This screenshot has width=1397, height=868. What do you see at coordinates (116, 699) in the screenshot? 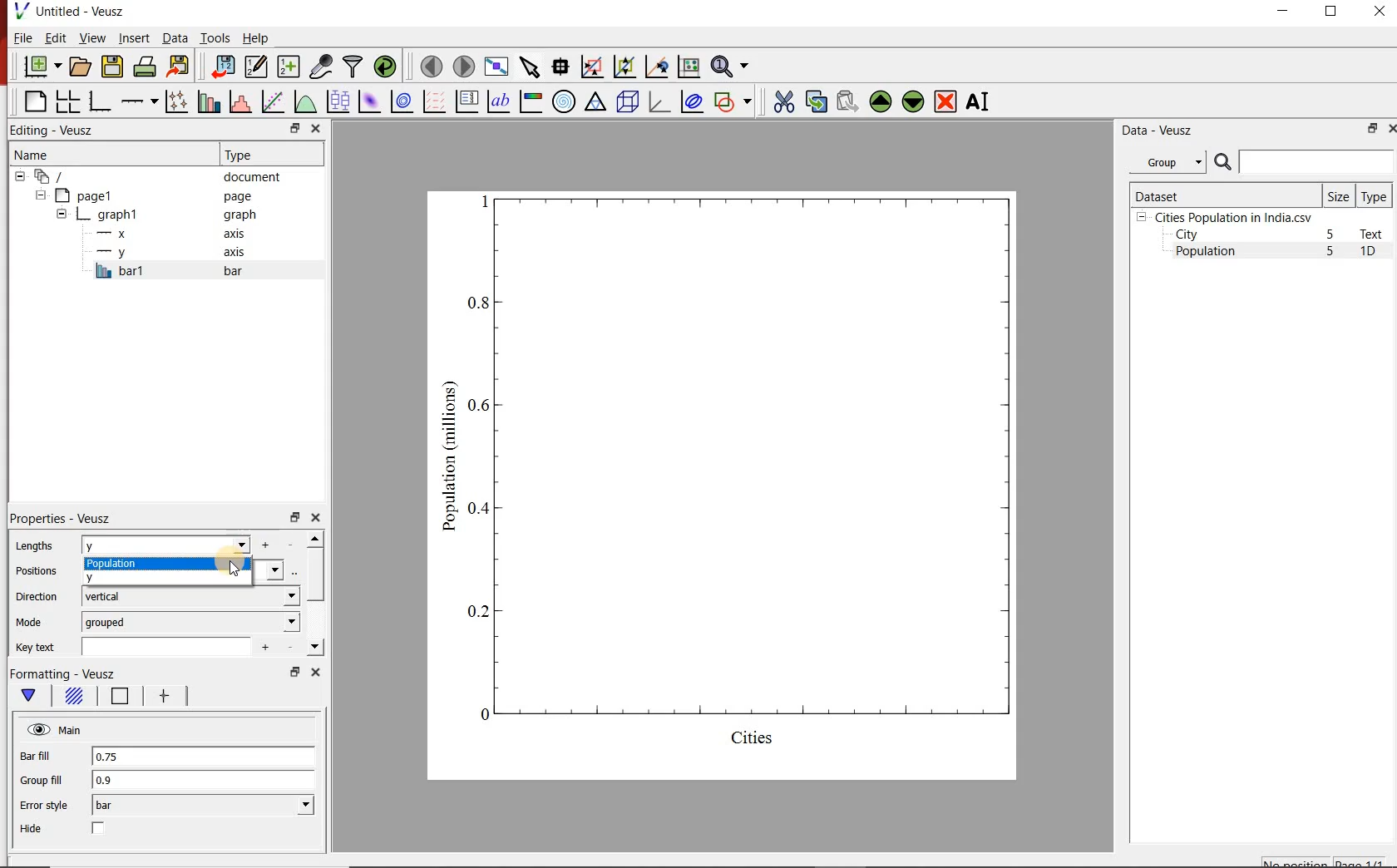
I see `Line` at bounding box center [116, 699].